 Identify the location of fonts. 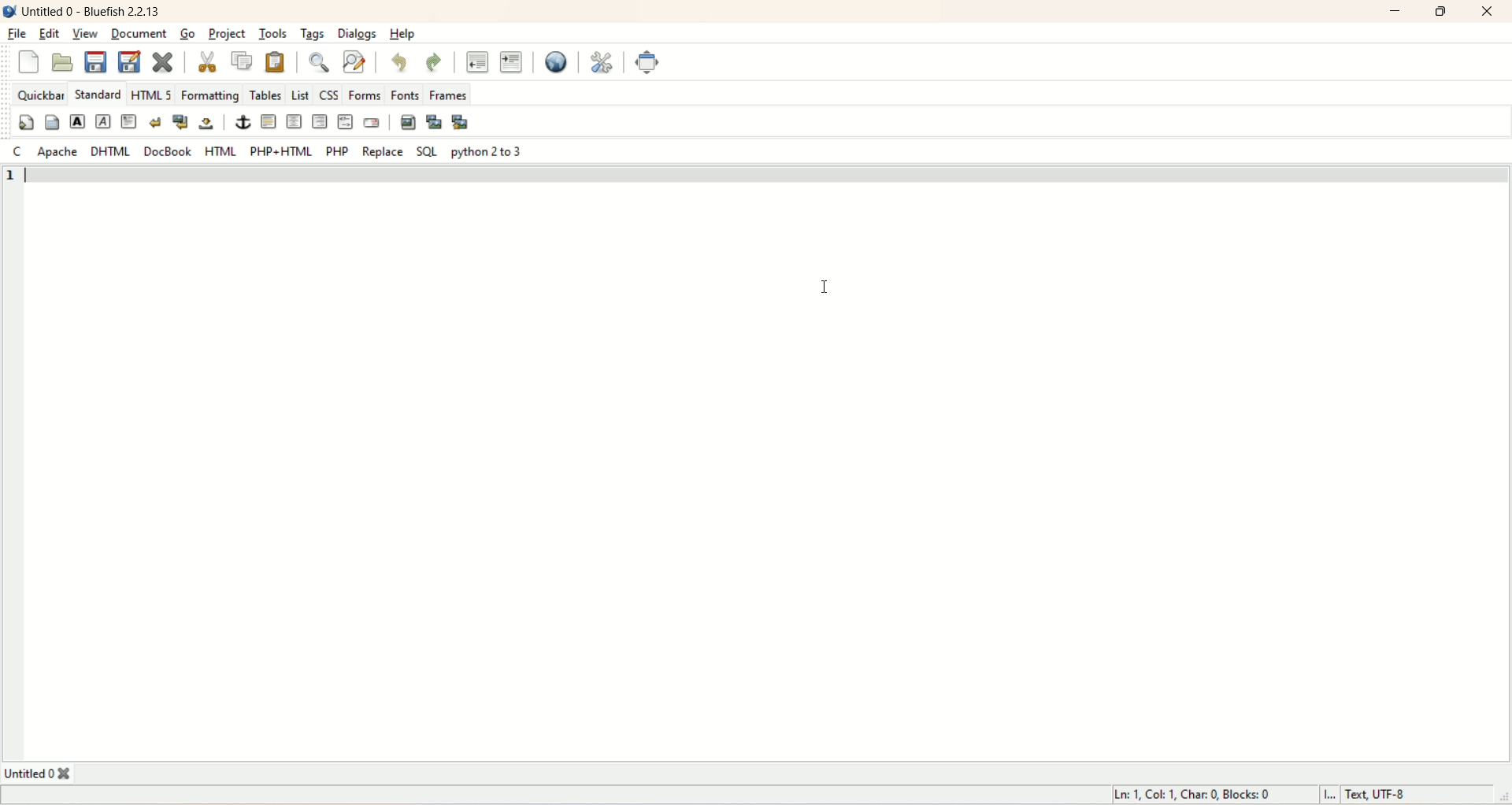
(405, 93).